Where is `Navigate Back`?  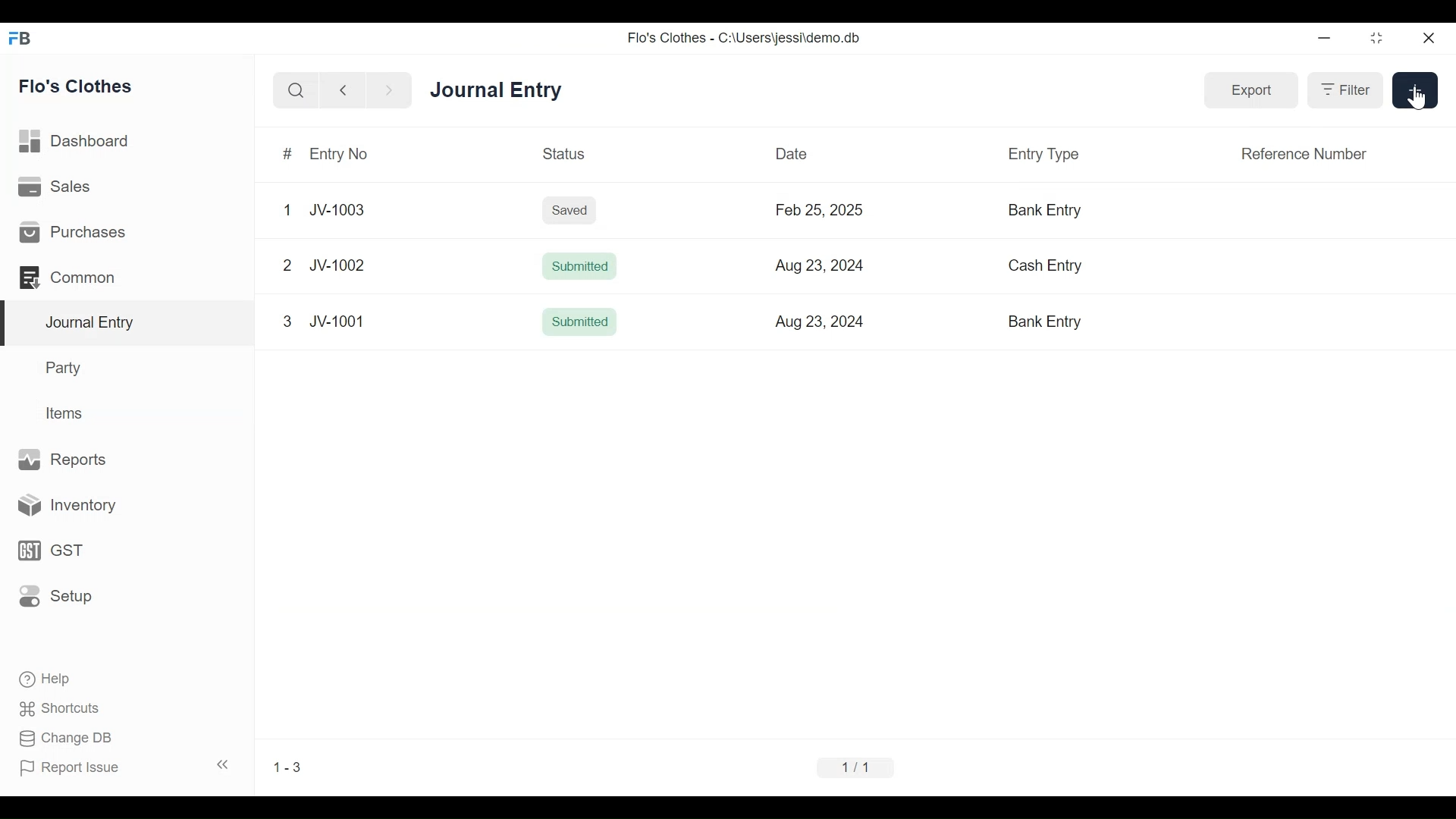
Navigate Back is located at coordinates (342, 91).